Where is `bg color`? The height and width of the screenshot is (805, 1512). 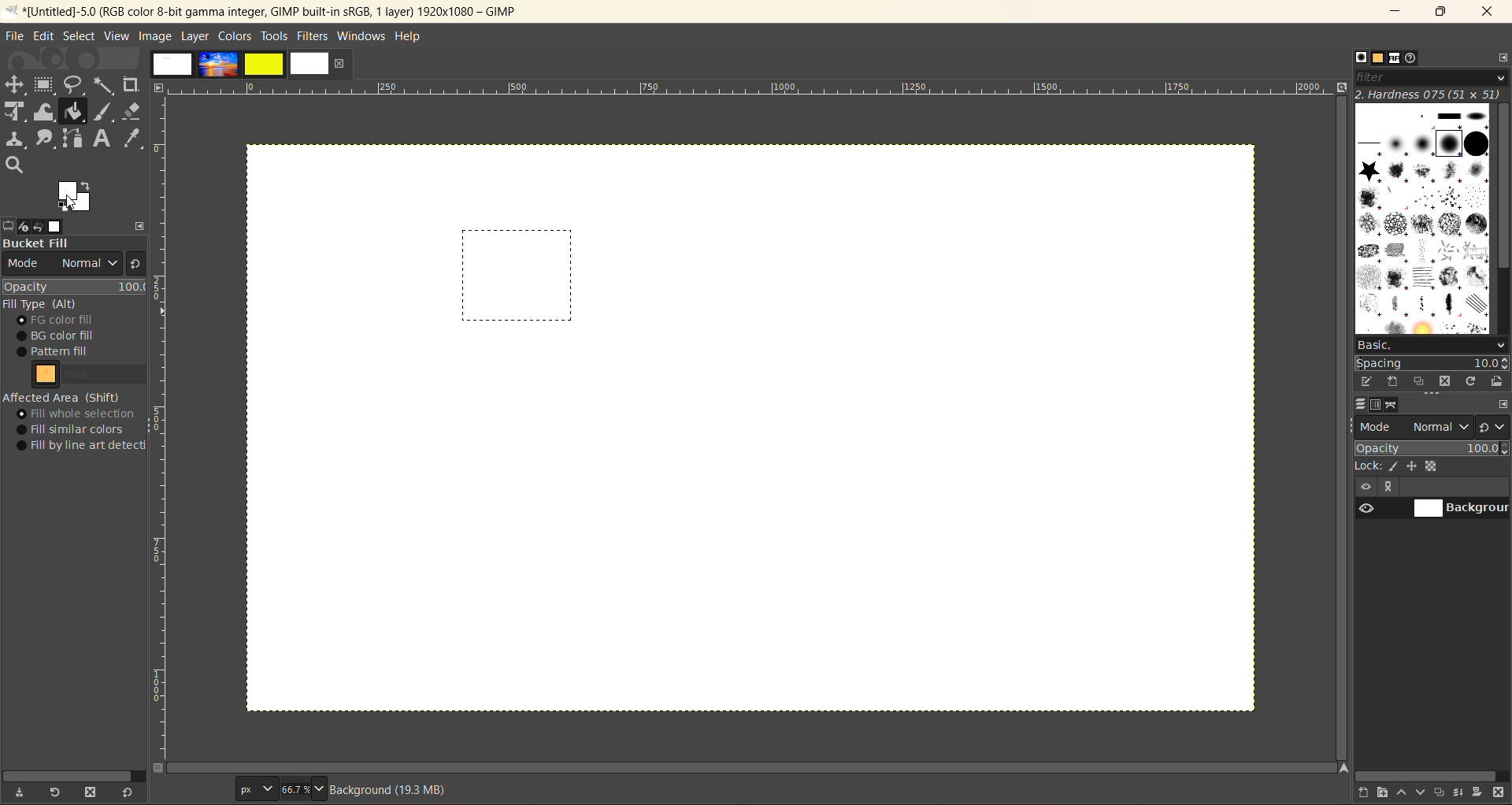
bg color is located at coordinates (65, 335).